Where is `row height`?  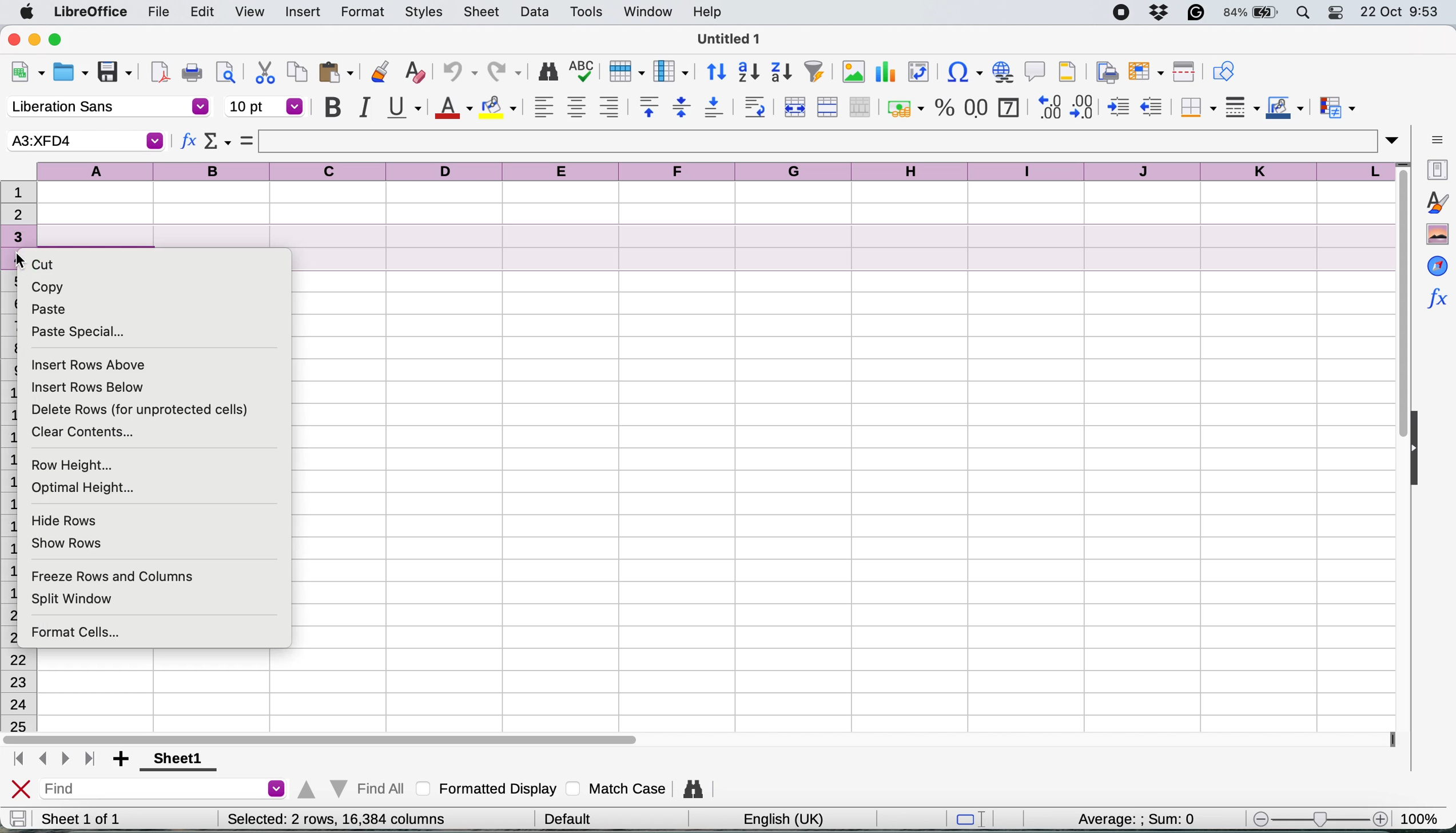
row height is located at coordinates (73, 466).